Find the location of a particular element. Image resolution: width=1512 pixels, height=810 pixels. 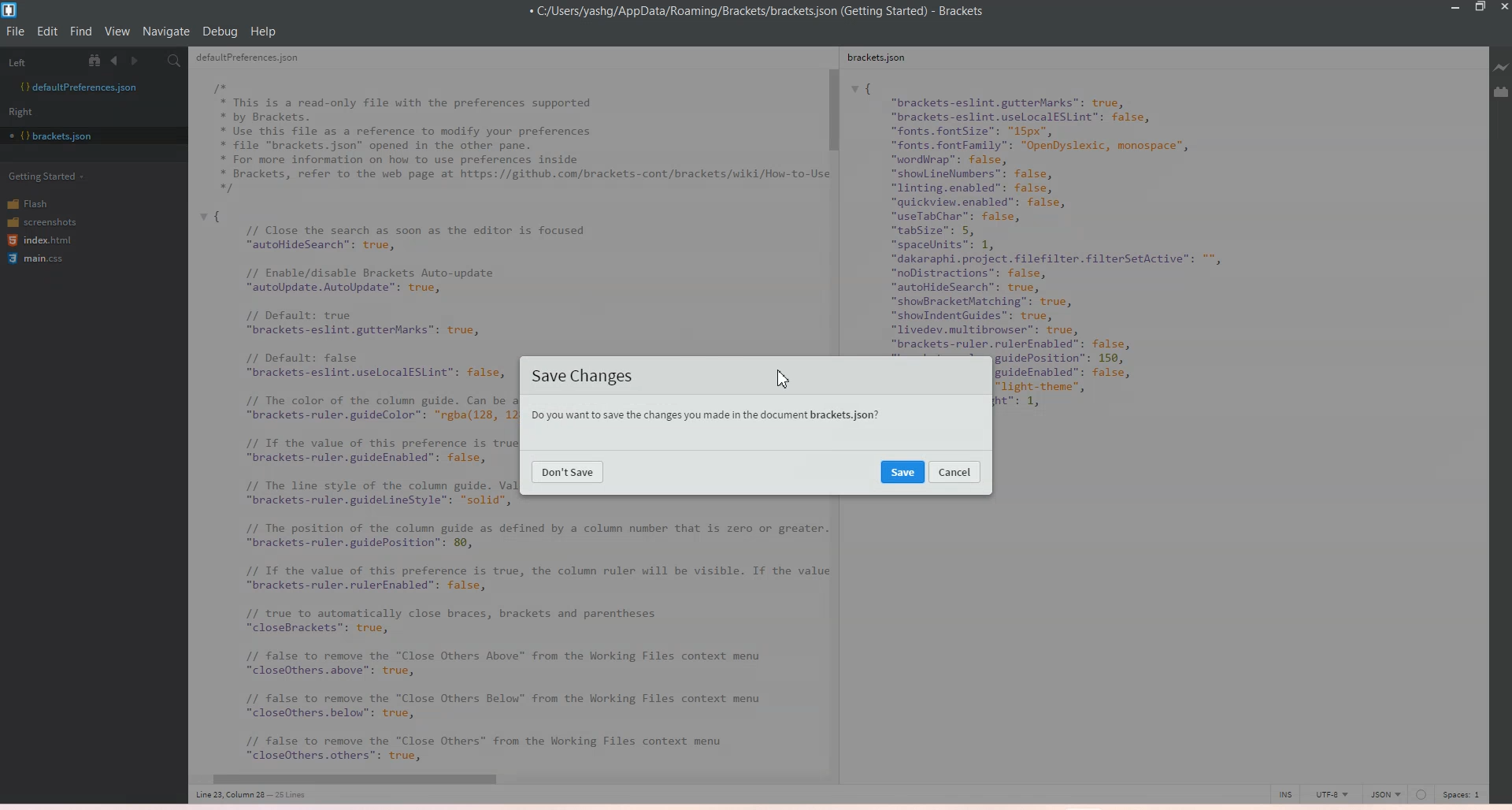

main.css is located at coordinates (39, 261).